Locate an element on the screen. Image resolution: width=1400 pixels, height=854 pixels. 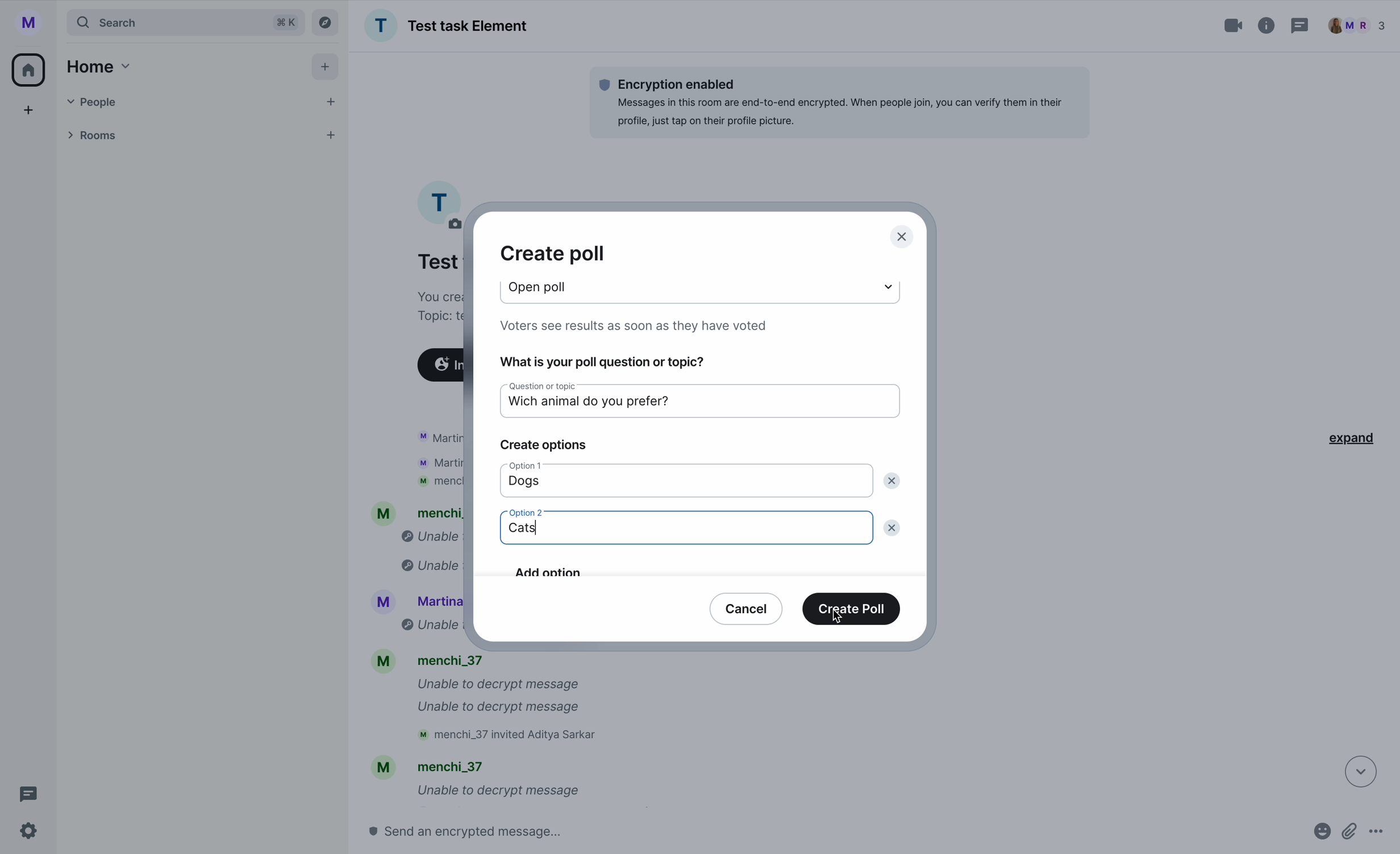
create poll is located at coordinates (853, 609).